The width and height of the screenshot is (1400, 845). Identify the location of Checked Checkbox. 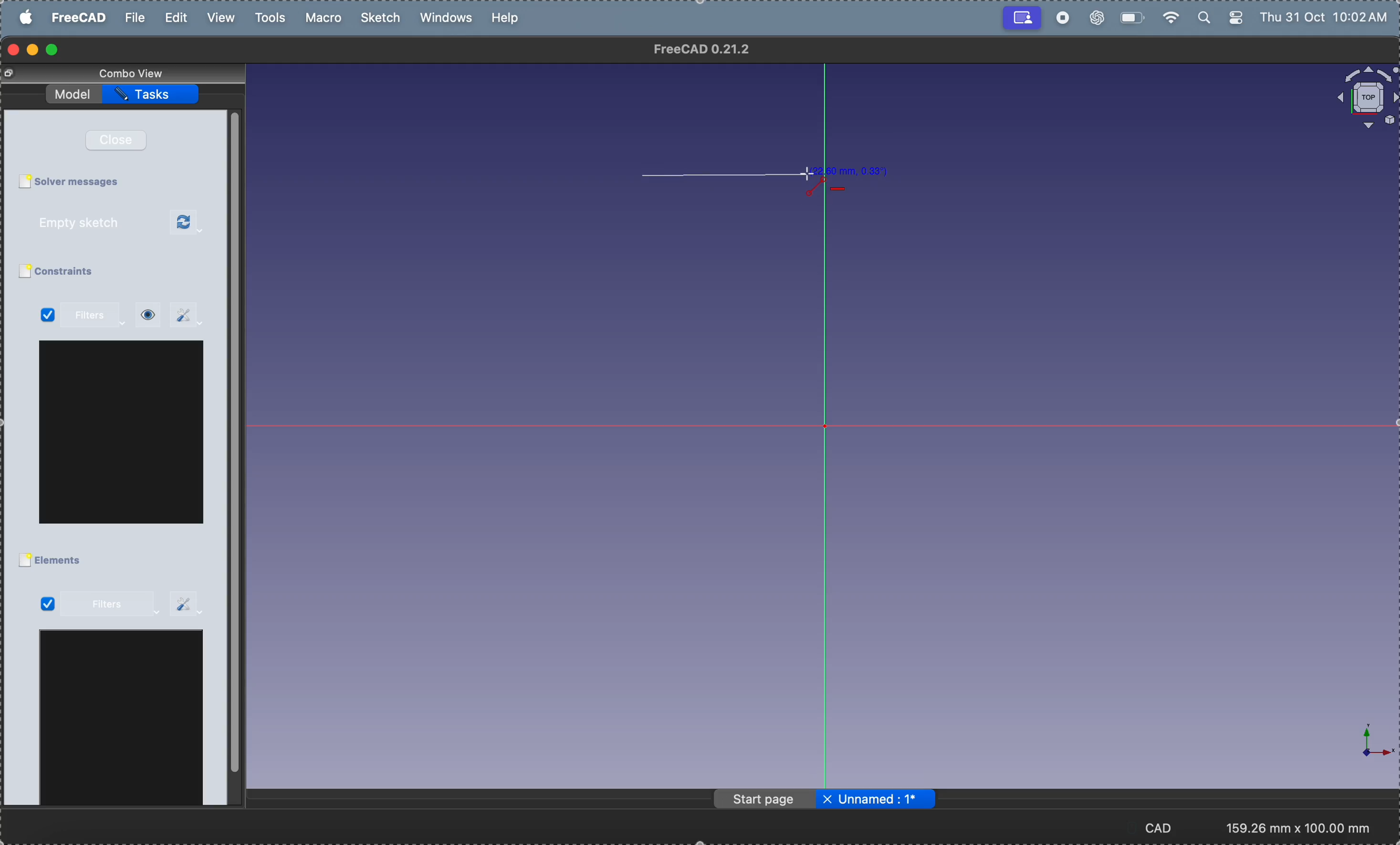
(48, 316).